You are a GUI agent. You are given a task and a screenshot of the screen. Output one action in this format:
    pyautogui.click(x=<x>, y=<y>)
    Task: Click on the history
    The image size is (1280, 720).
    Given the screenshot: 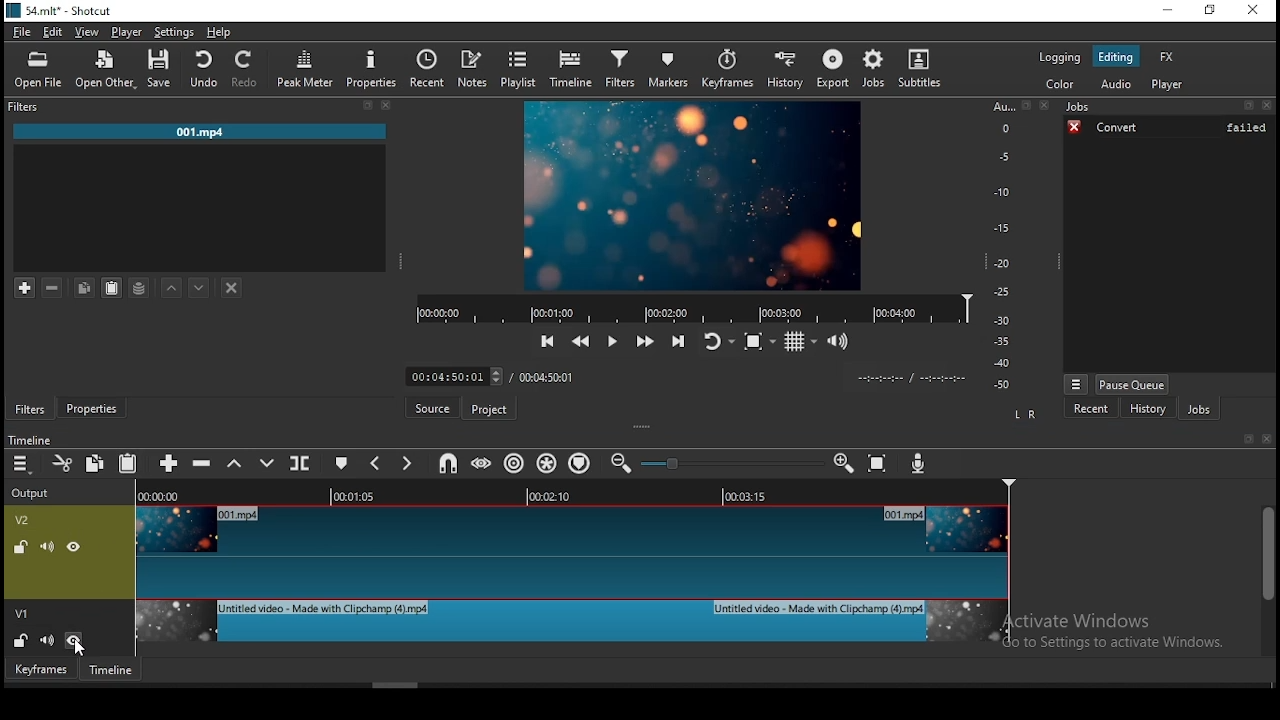 What is the action you would take?
    pyautogui.click(x=784, y=69)
    